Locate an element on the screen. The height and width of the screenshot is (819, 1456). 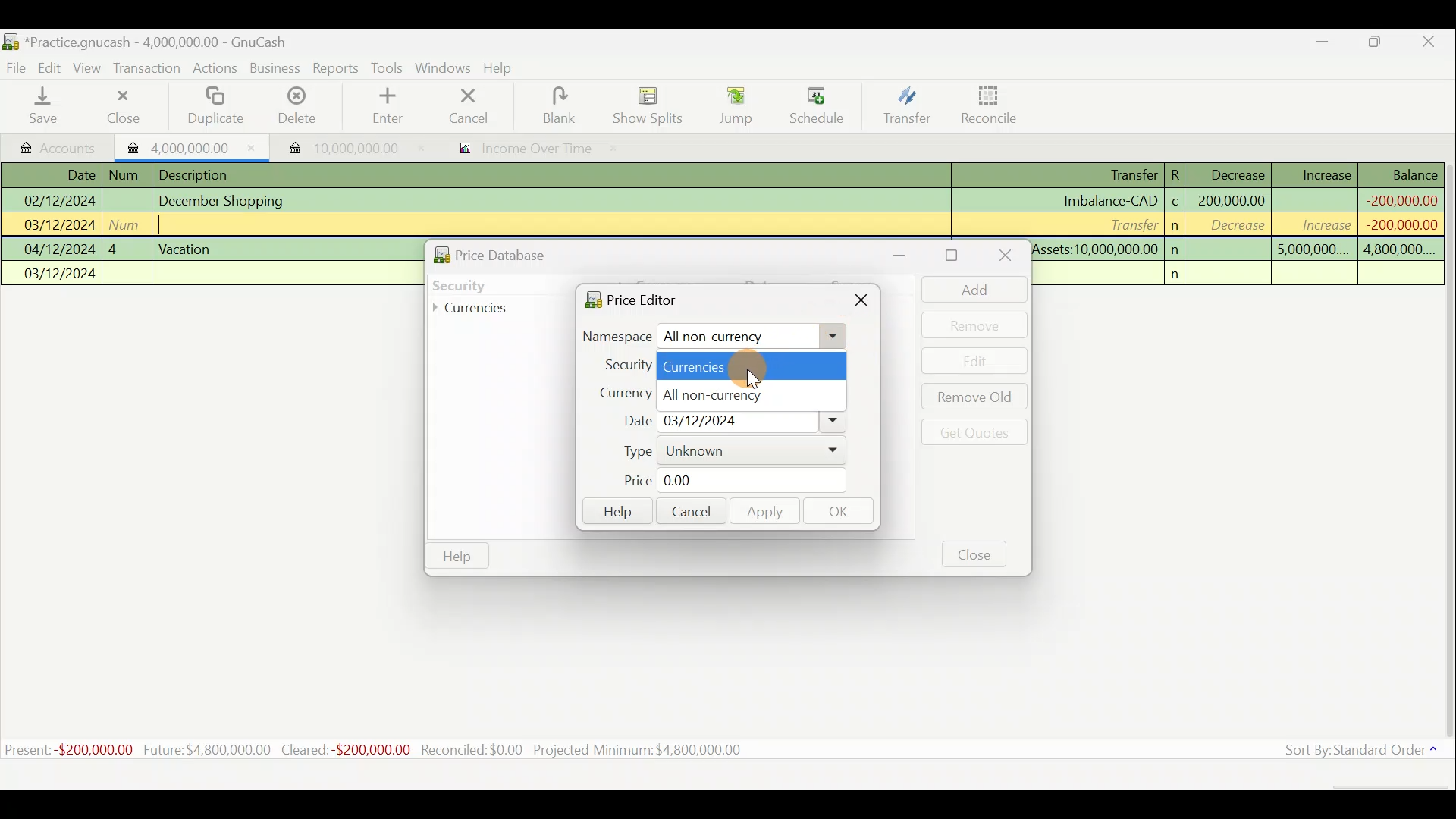
Add is located at coordinates (967, 289).